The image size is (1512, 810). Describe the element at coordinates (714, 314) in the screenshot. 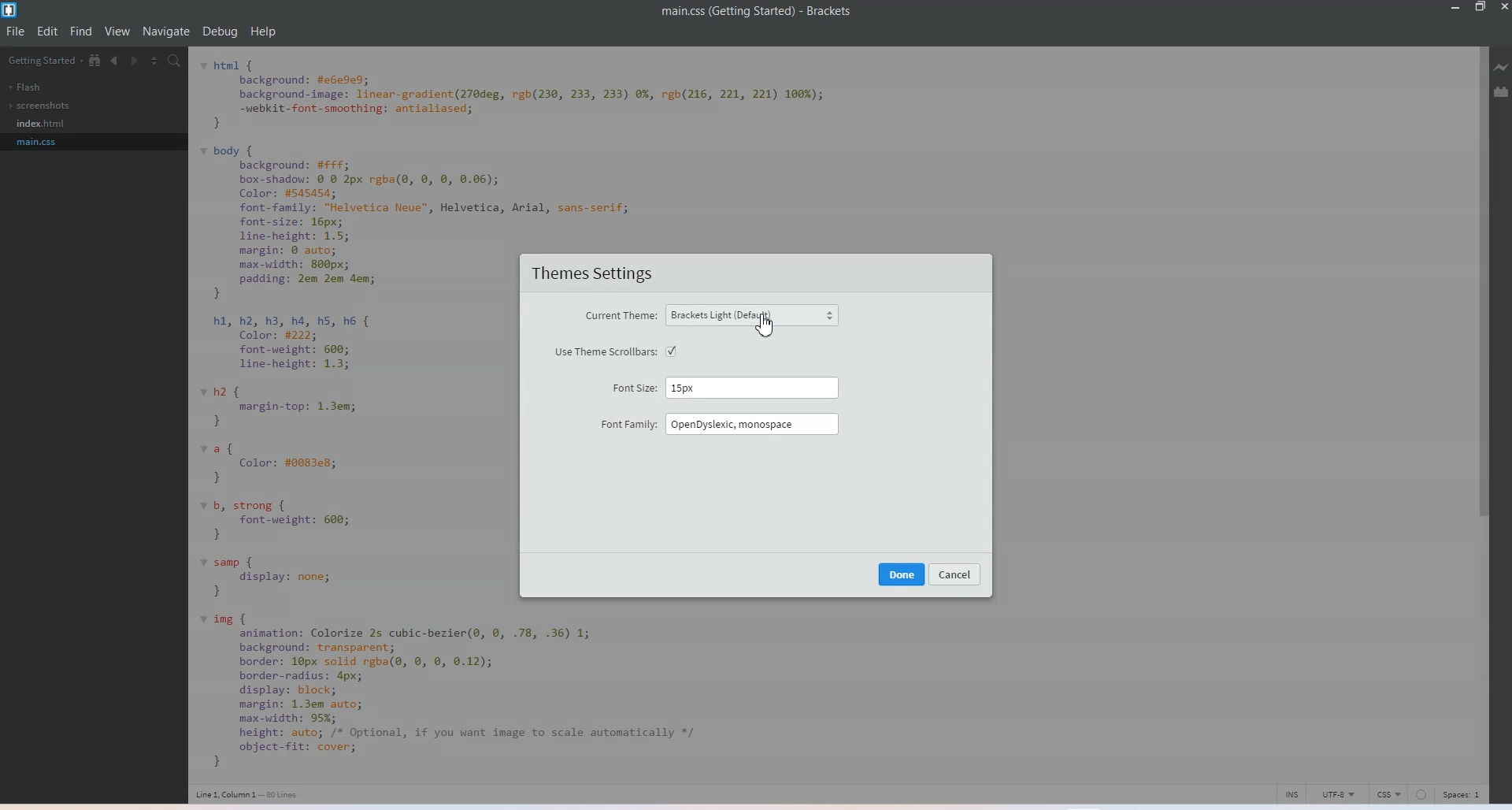

I see `Current theme` at that location.